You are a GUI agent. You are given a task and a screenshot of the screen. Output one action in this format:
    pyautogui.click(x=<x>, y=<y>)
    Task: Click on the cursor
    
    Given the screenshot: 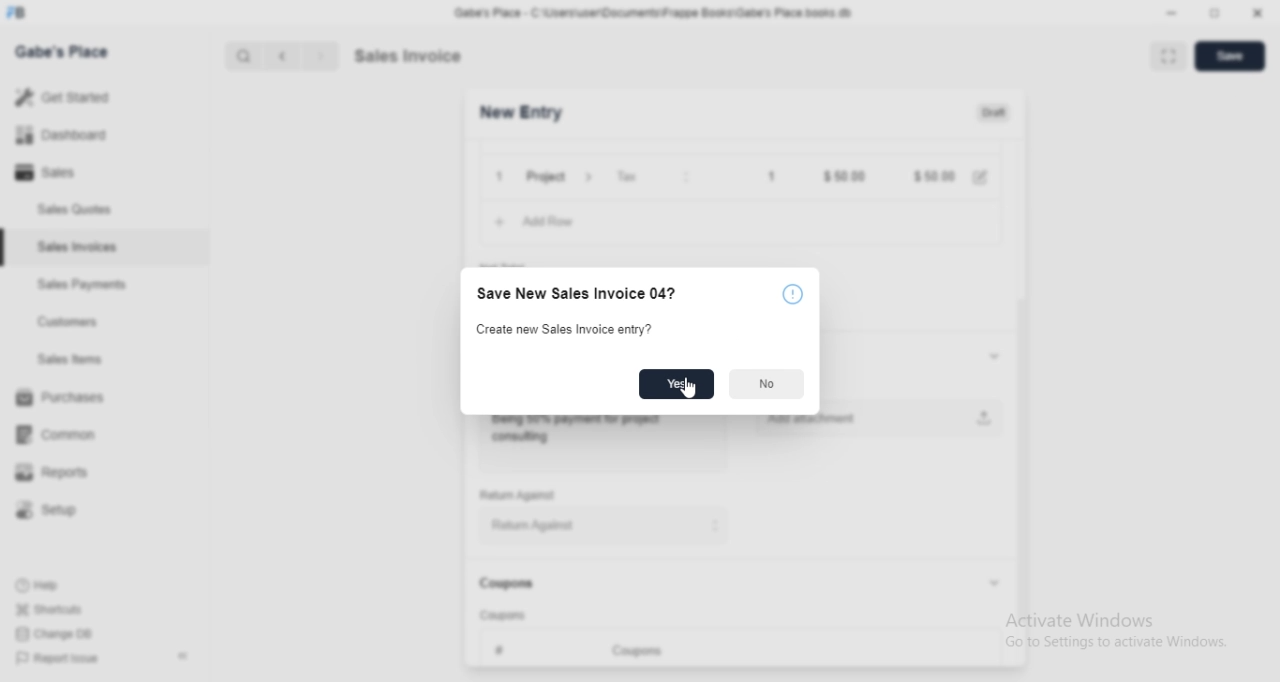 What is the action you would take?
    pyautogui.click(x=689, y=391)
    